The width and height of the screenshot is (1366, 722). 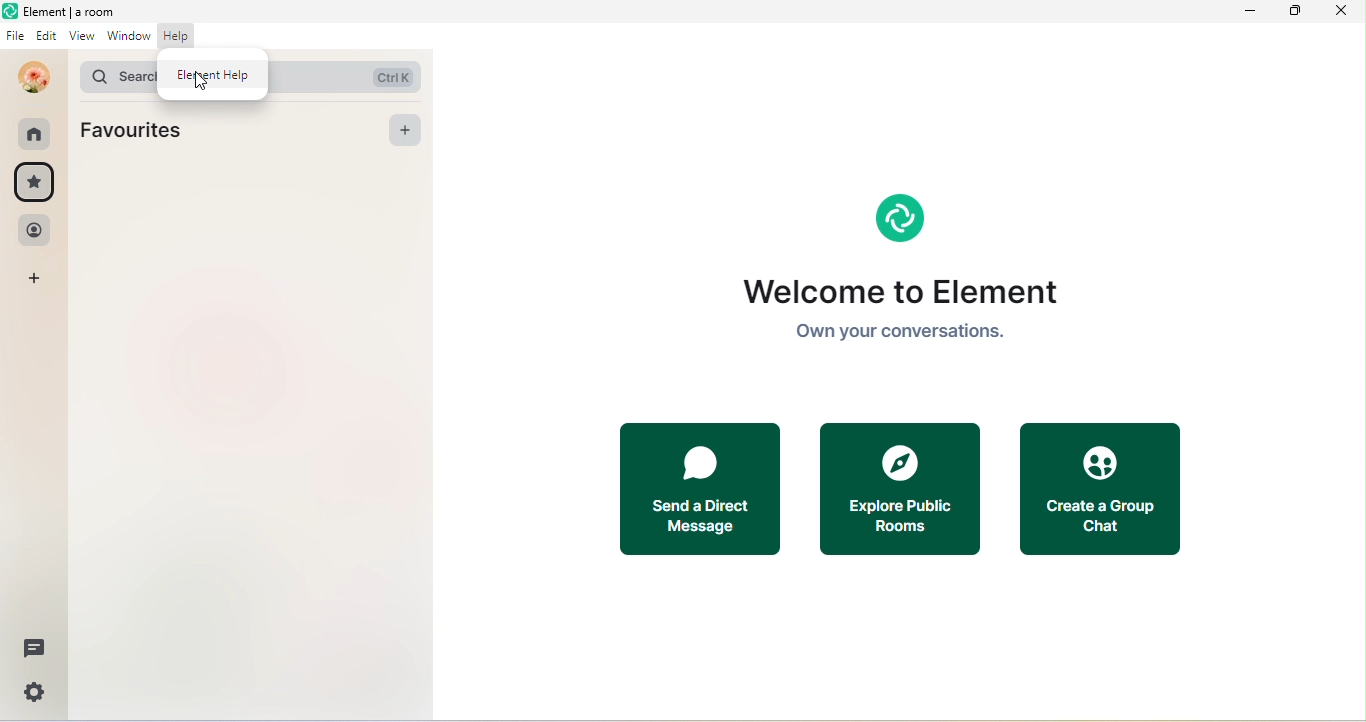 What do you see at coordinates (181, 40) in the screenshot?
I see `help` at bounding box center [181, 40].